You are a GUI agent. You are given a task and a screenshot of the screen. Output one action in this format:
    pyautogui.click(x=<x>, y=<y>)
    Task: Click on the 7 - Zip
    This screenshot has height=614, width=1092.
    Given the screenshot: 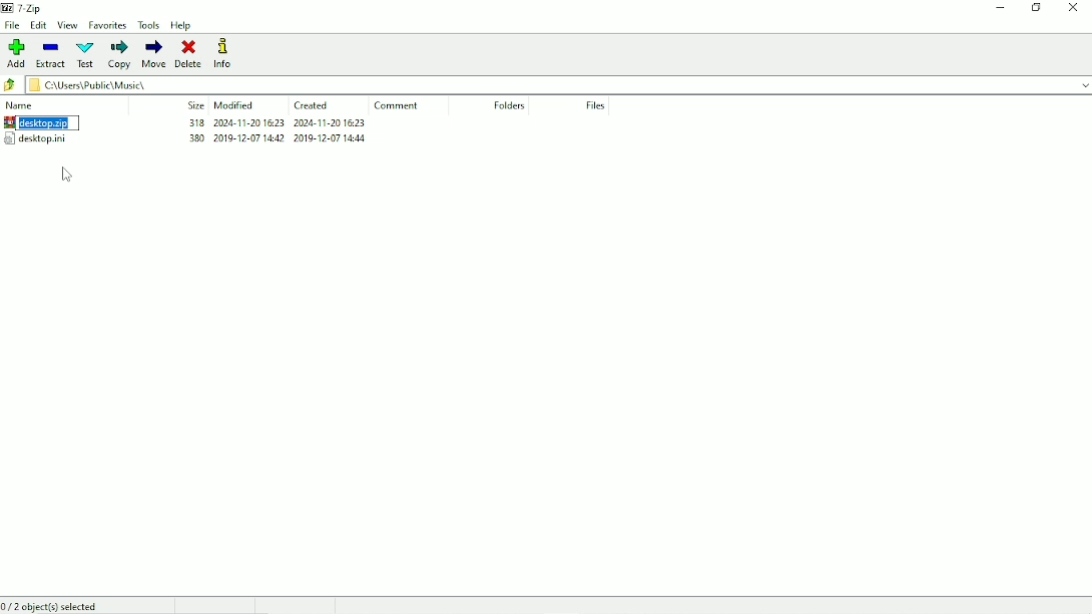 What is the action you would take?
    pyautogui.click(x=25, y=7)
    